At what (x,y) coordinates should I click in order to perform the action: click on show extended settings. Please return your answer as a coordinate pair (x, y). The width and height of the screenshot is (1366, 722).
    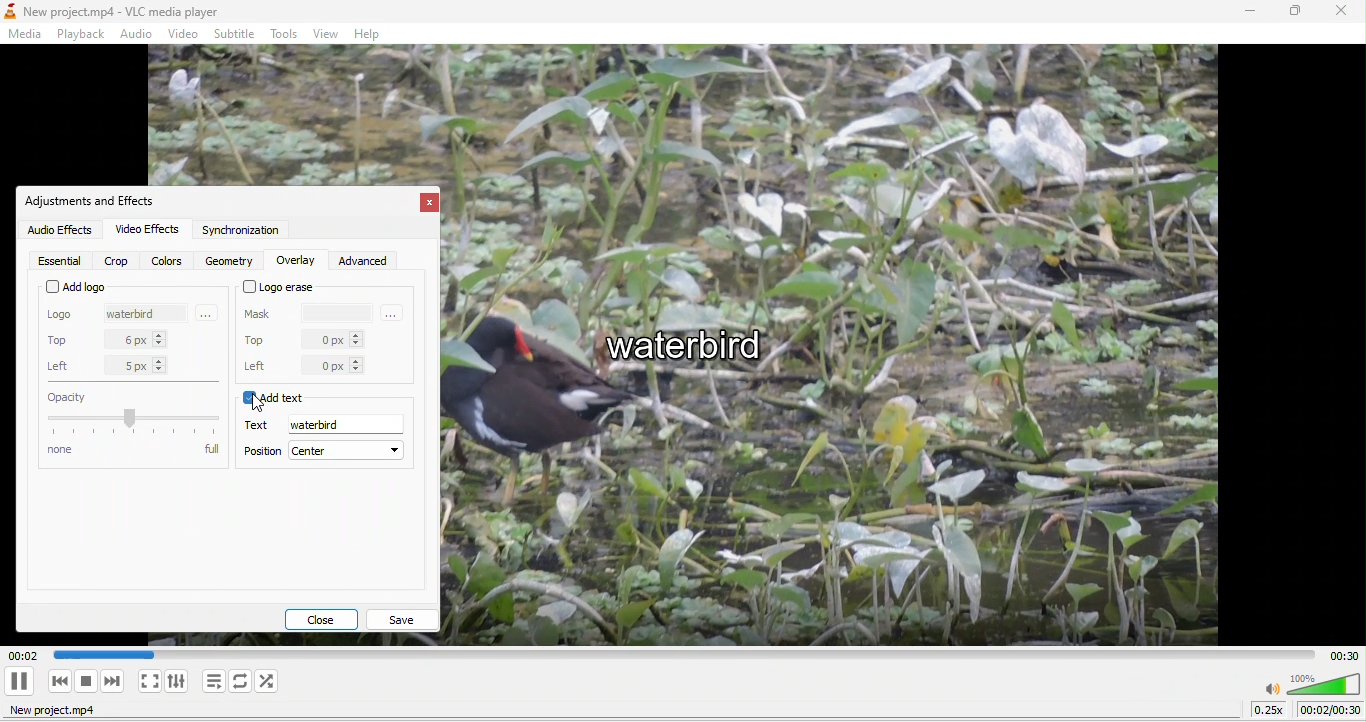
    Looking at the image, I should click on (180, 681).